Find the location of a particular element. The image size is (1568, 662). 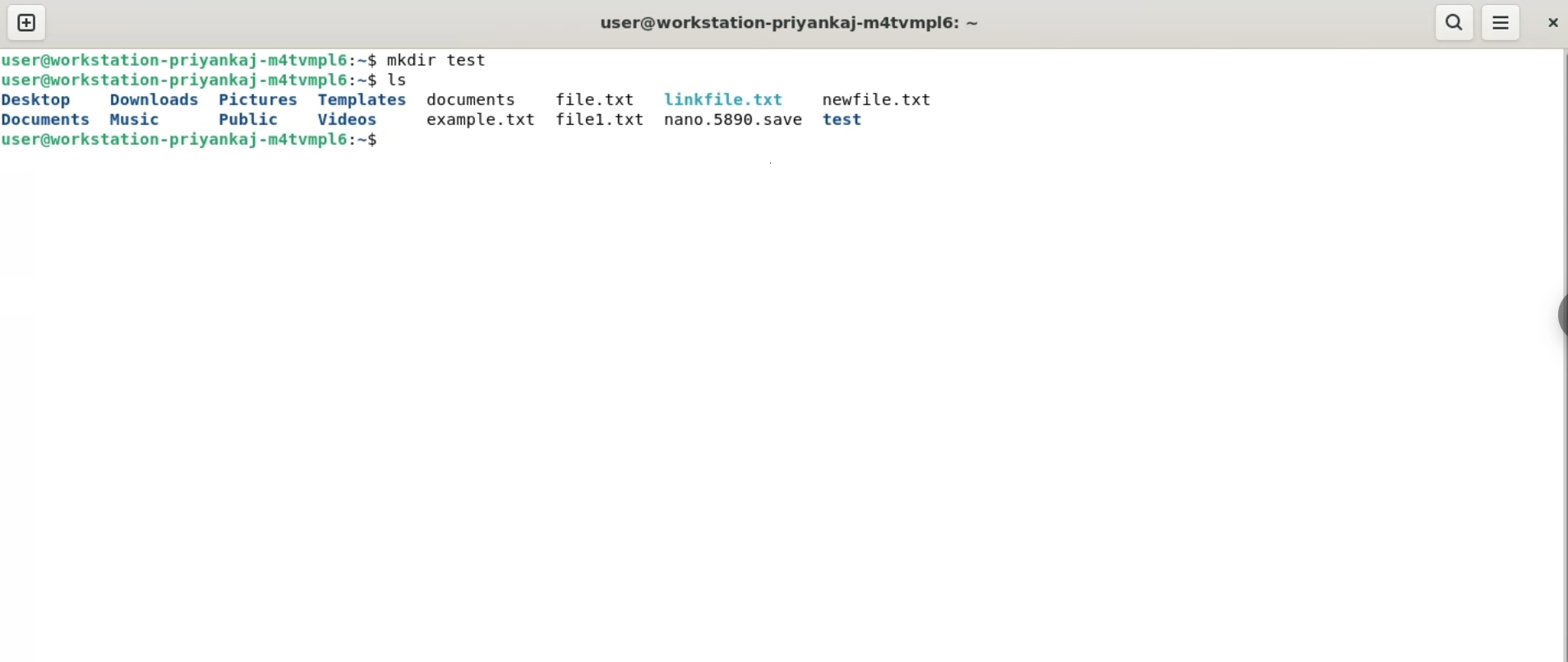

mkdir test is located at coordinates (445, 60).